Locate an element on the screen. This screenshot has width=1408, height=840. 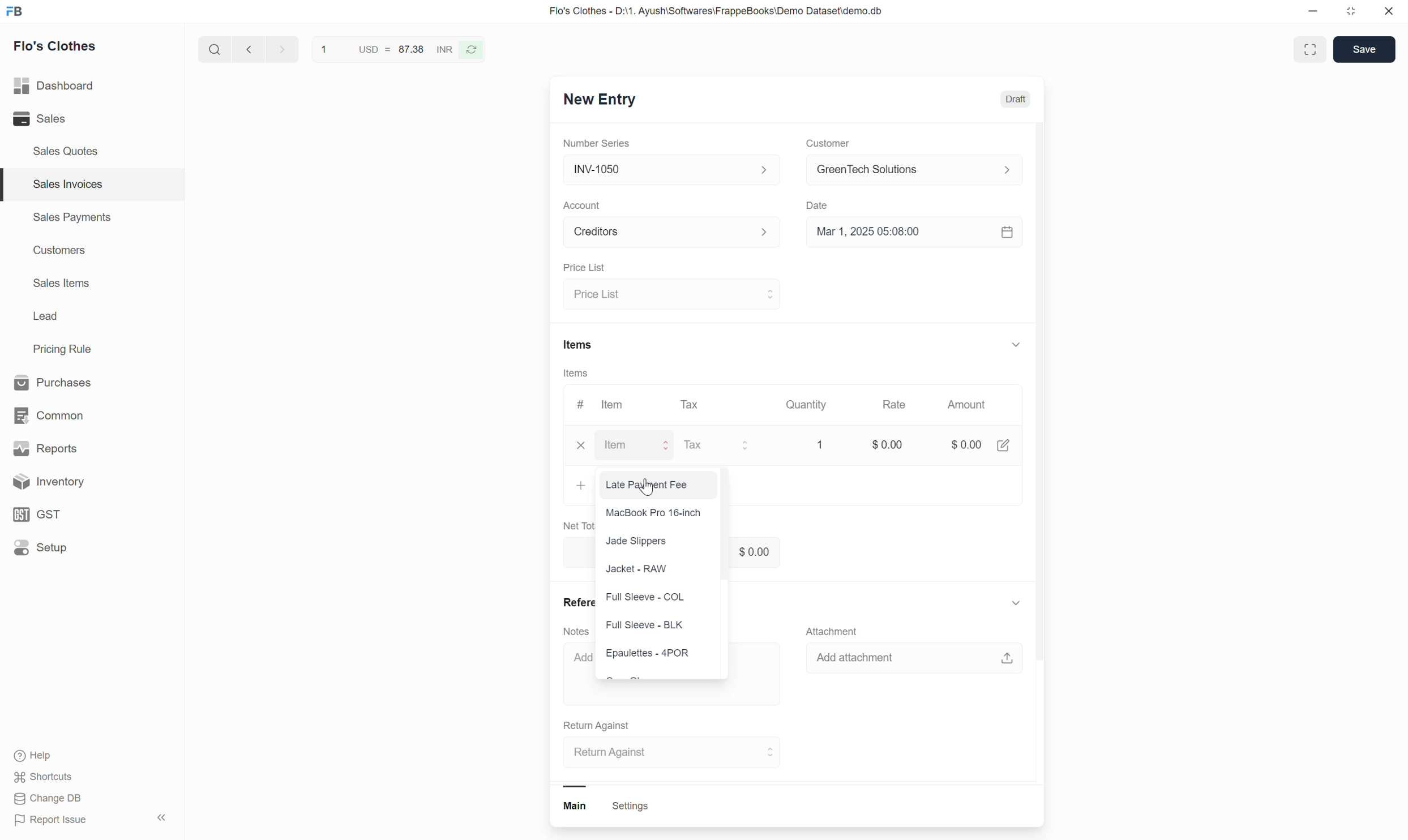
Quantity is located at coordinates (821, 444).